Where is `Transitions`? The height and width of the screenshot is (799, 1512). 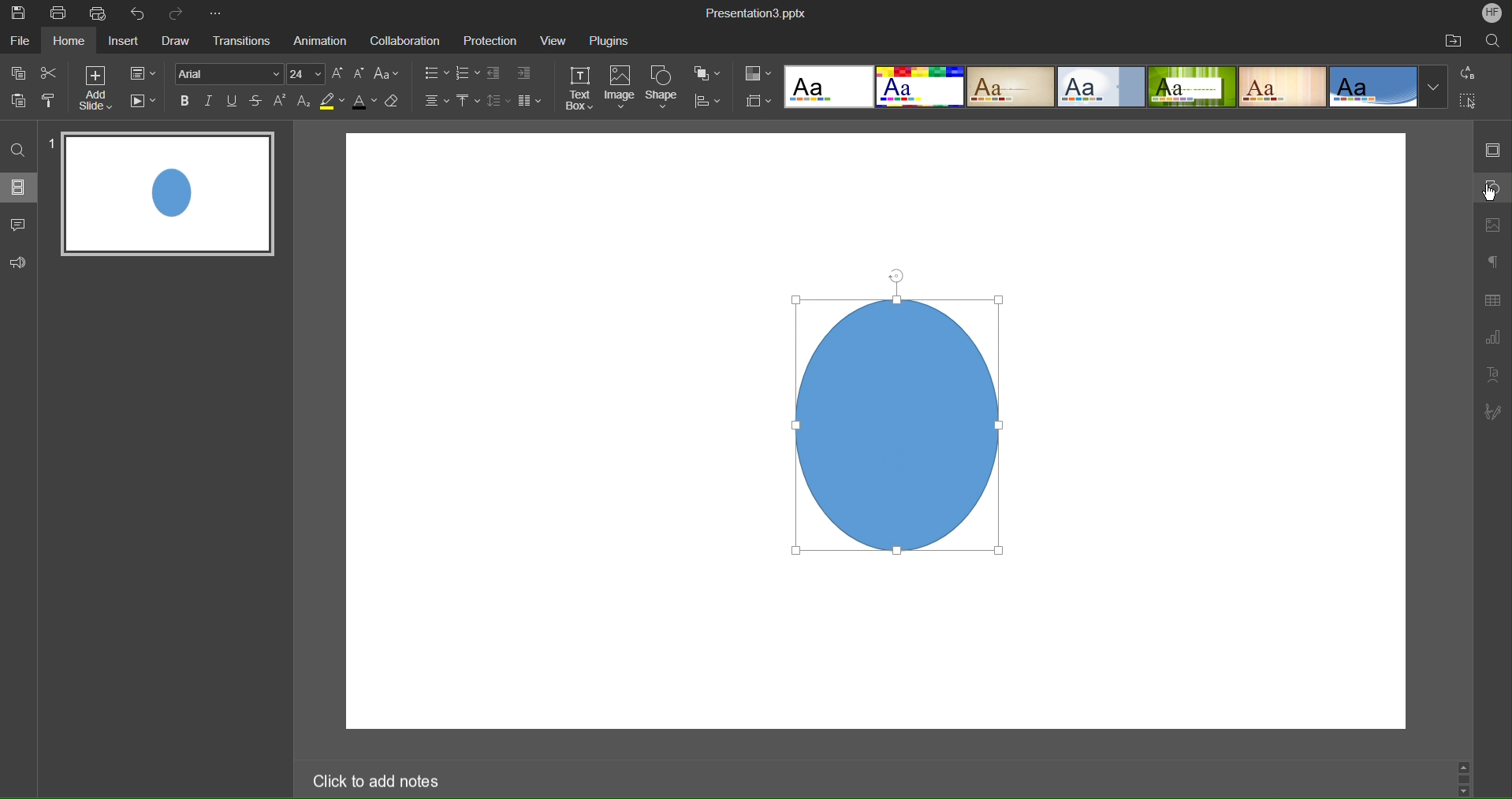 Transitions is located at coordinates (239, 42).